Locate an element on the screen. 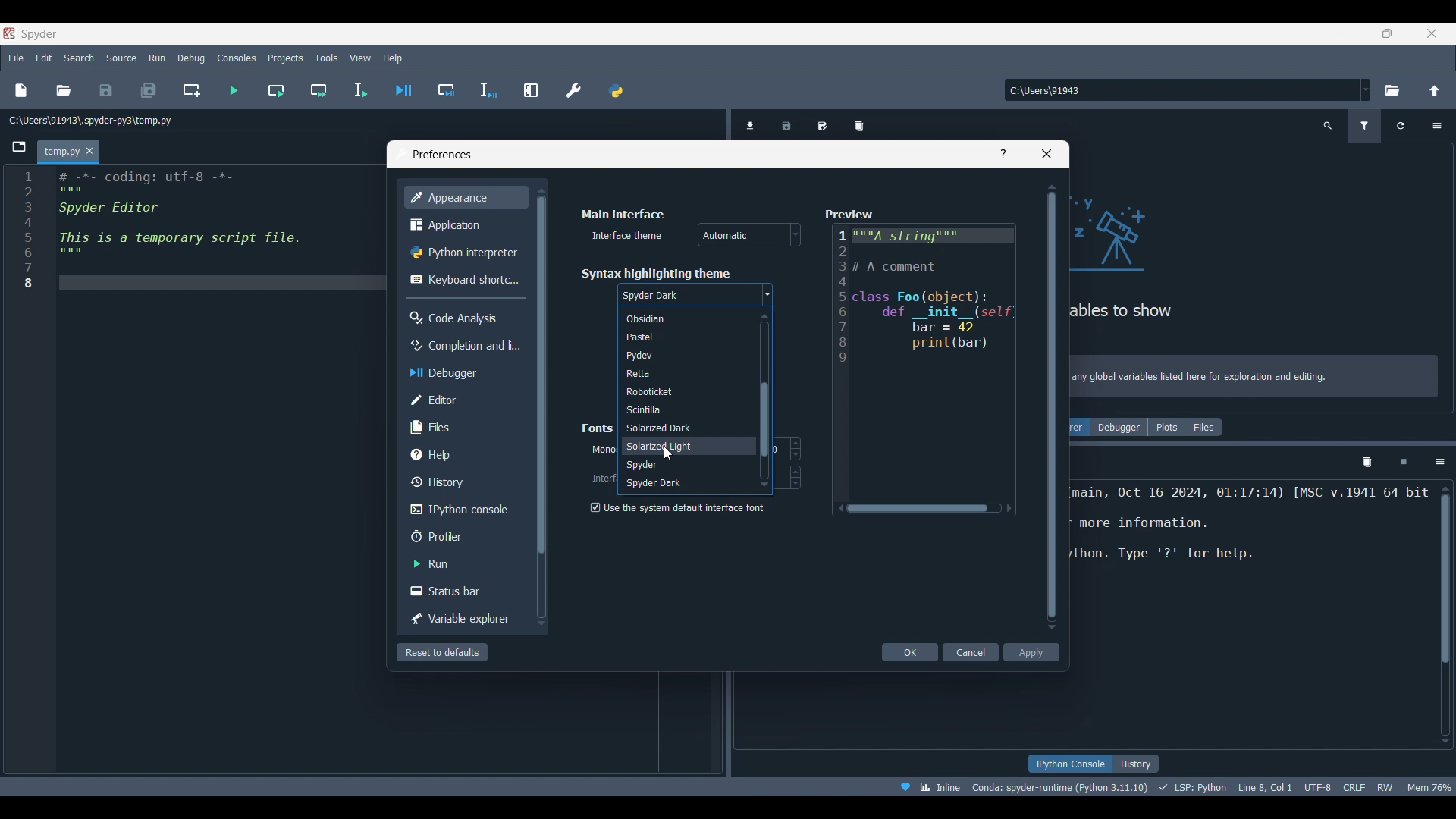 The image size is (1456, 819). Help is located at coordinates (463, 454).